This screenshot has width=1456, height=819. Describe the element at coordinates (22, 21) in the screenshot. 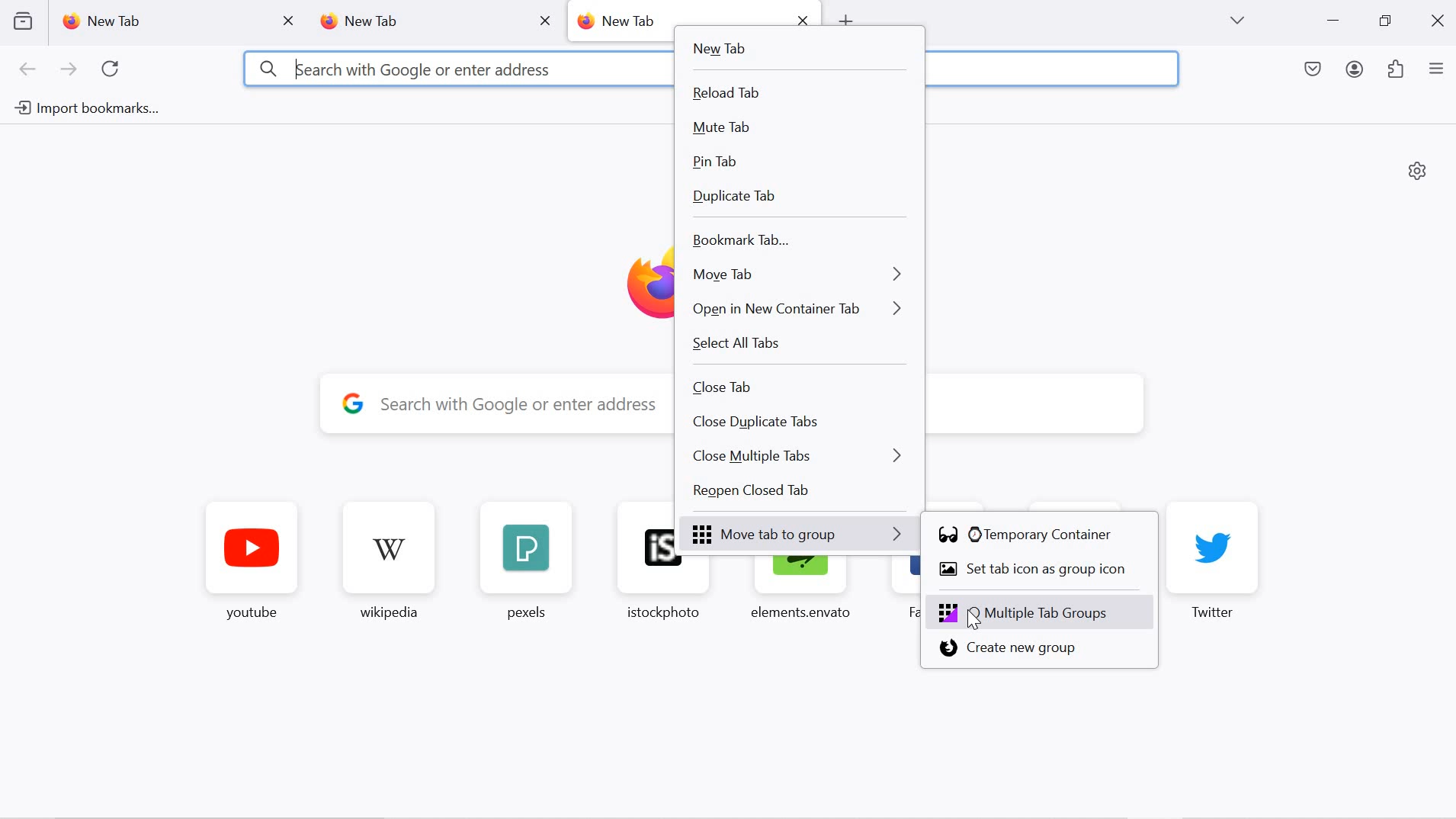

I see `view recent browsing across devices and windows` at that location.